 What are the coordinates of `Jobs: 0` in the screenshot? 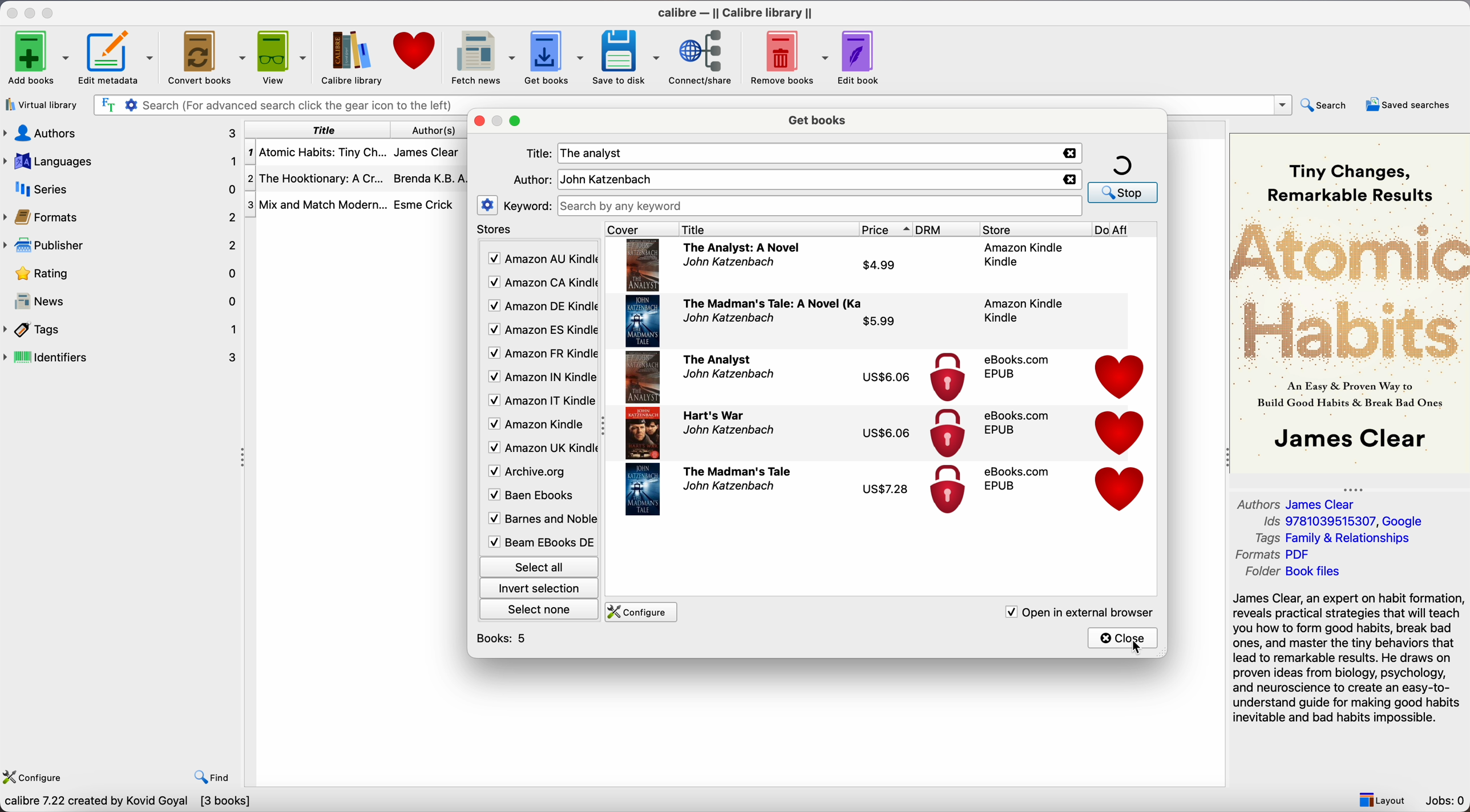 It's located at (1447, 802).